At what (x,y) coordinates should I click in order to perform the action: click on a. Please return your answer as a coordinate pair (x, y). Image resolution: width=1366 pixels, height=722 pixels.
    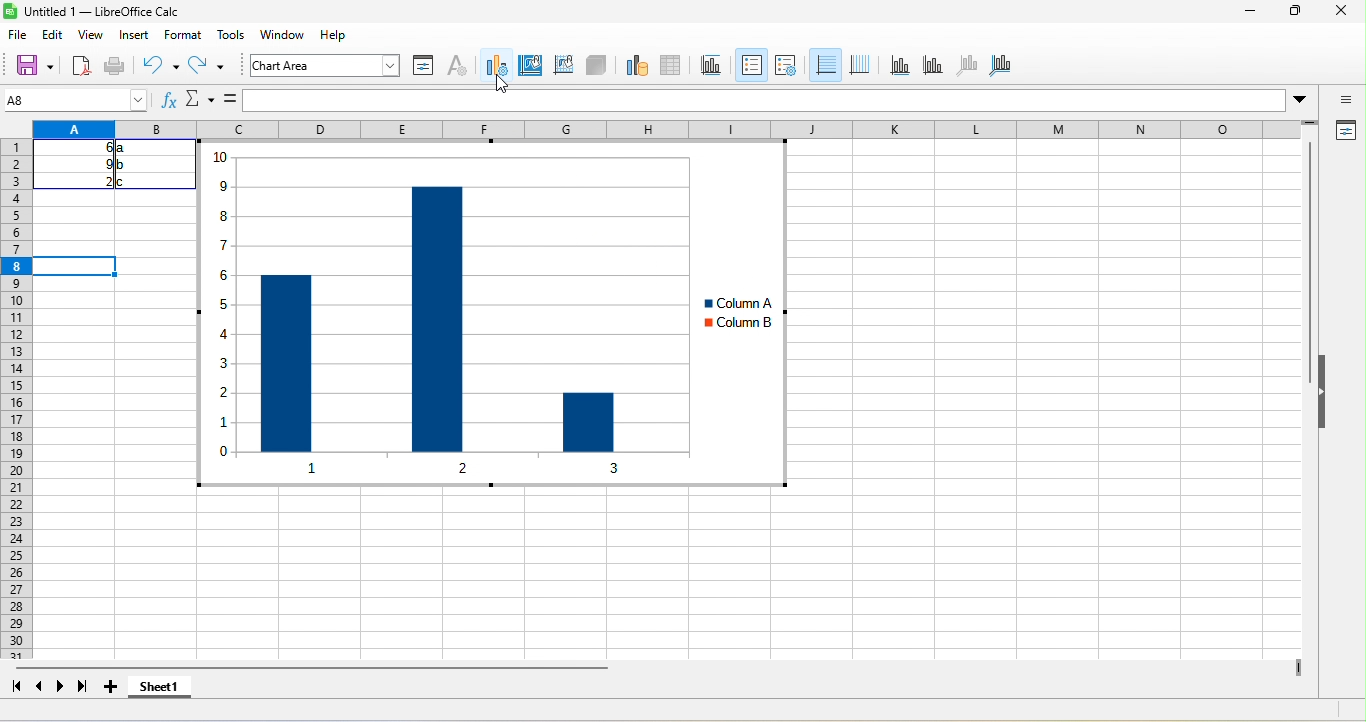
    Looking at the image, I should click on (123, 150).